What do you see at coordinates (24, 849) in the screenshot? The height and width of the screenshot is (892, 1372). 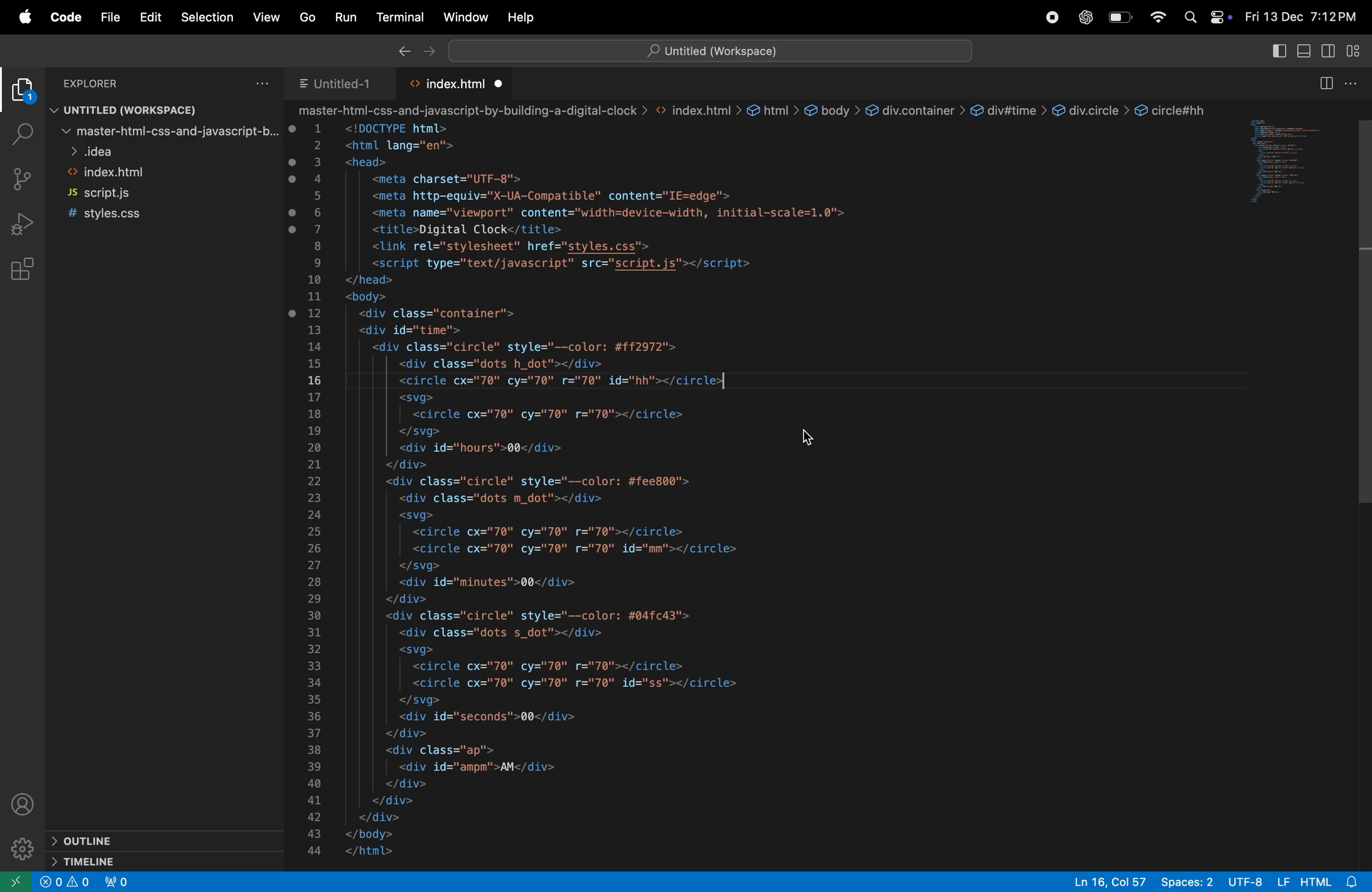 I see `settings` at bounding box center [24, 849].